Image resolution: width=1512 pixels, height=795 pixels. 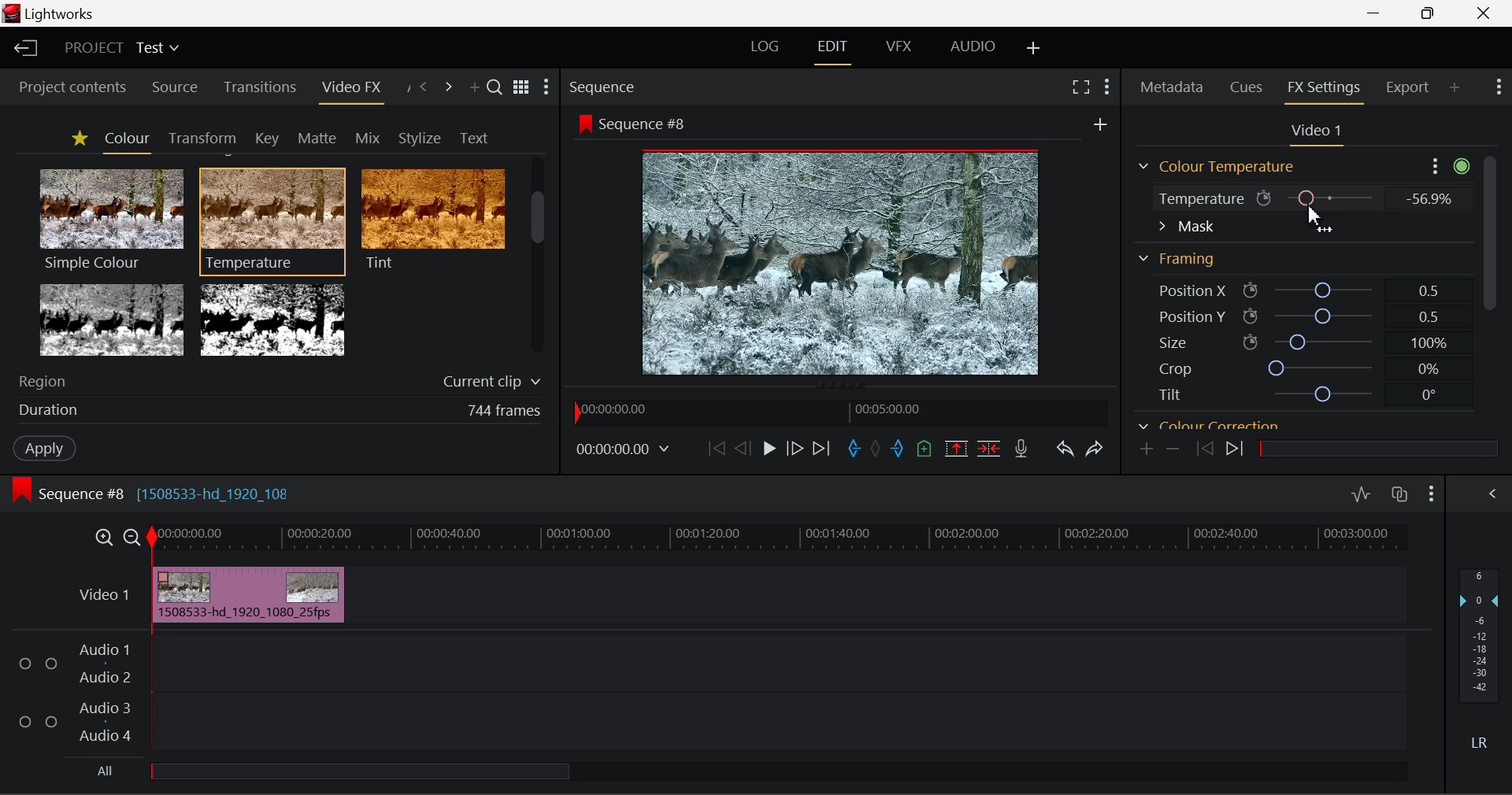 I want to click on Show Settings, so click(x=1106, y=88).